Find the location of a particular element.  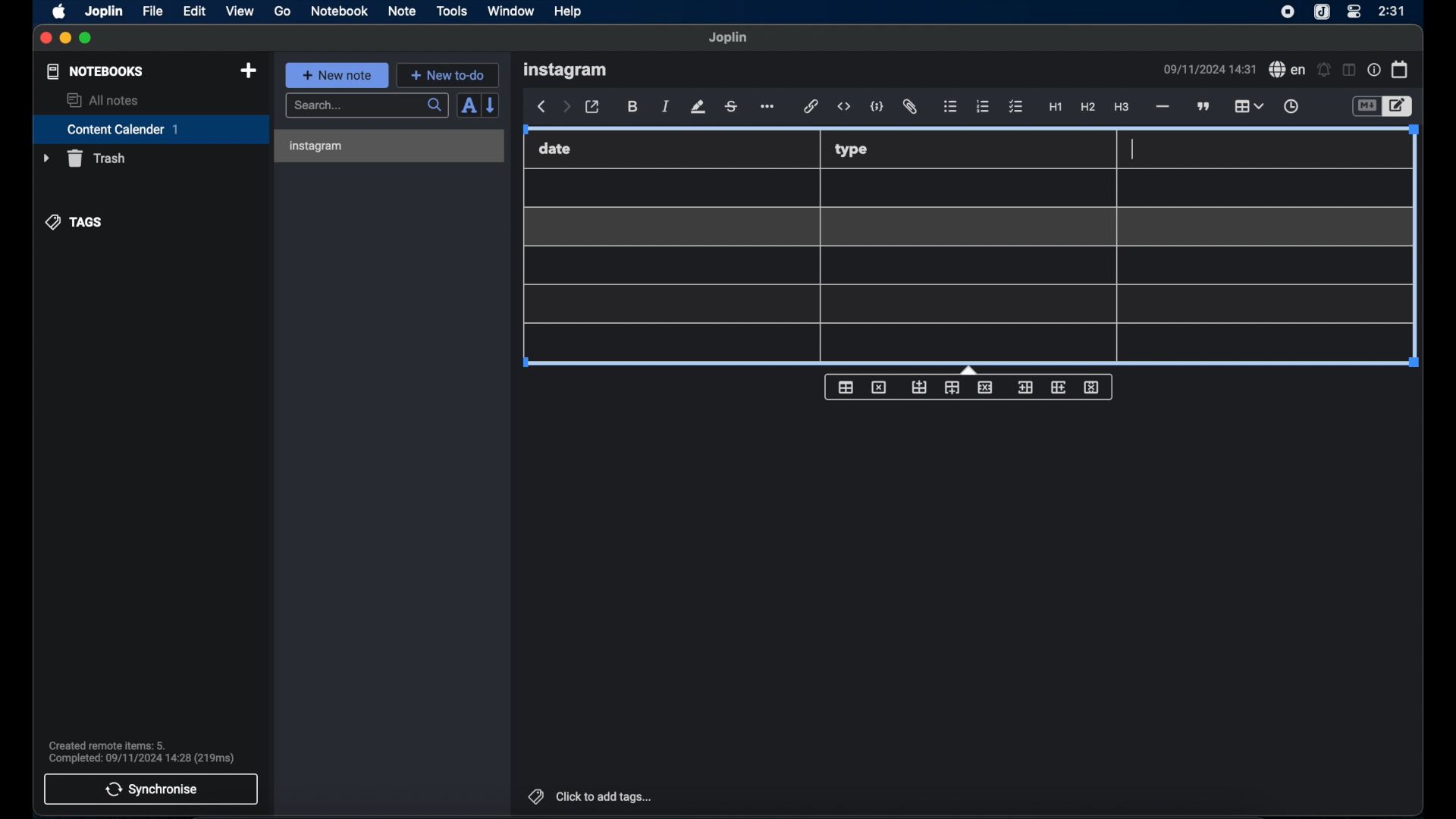

table properties is located at coordinates (846, 387).